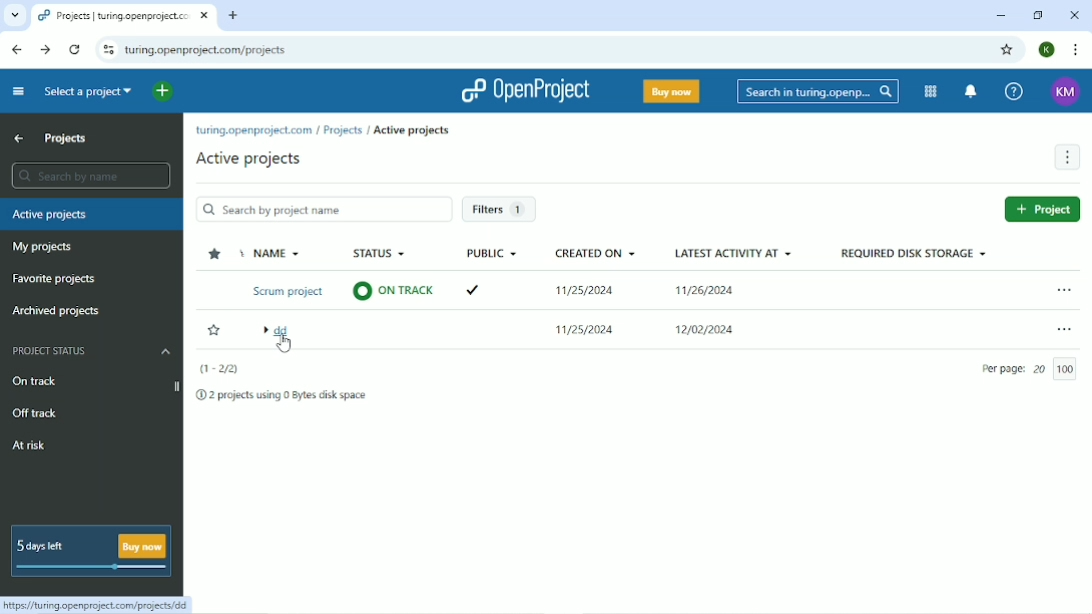  I want to click on On Track, so click(398, 292).